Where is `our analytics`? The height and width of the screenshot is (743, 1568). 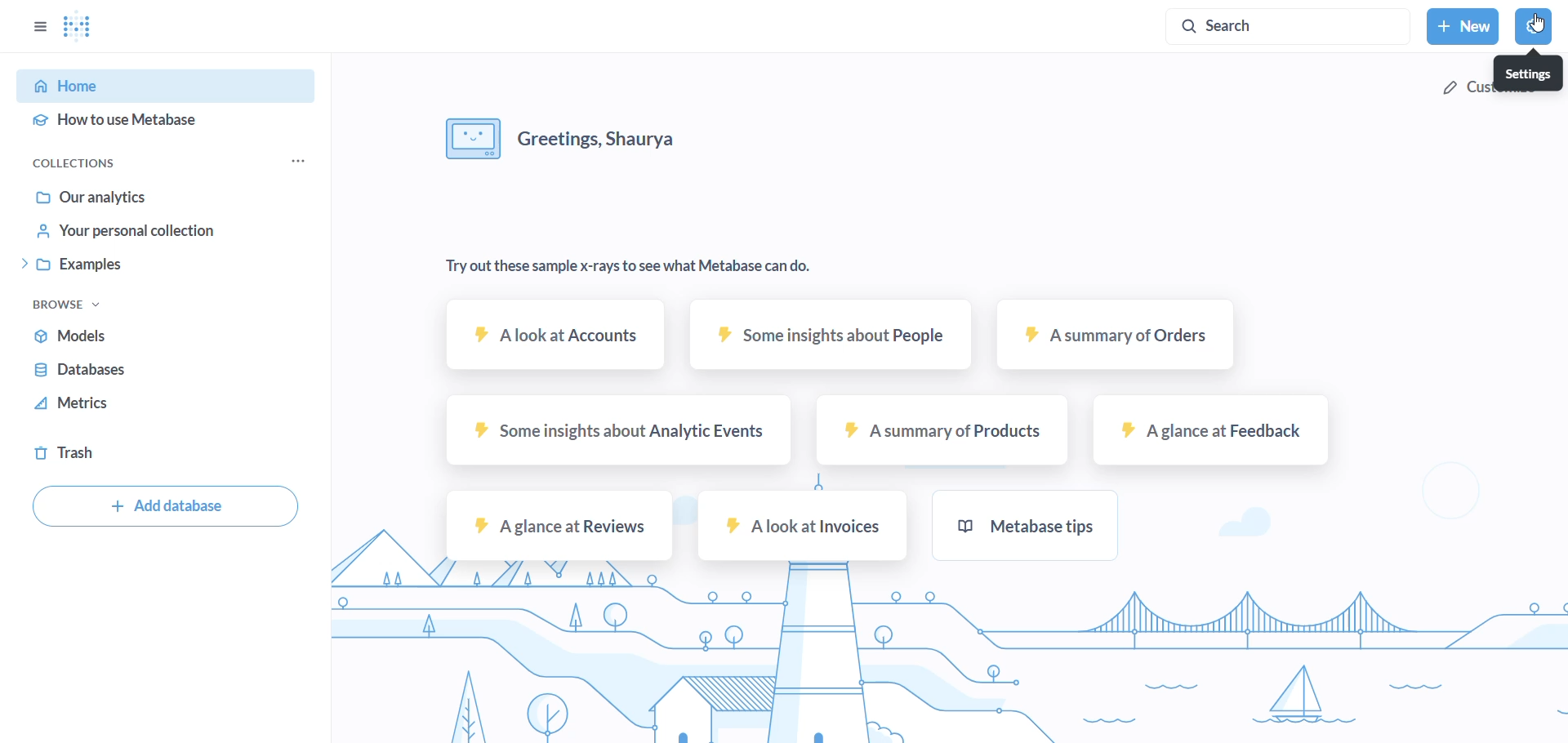
our analytics is located at coordinates (135, 195).